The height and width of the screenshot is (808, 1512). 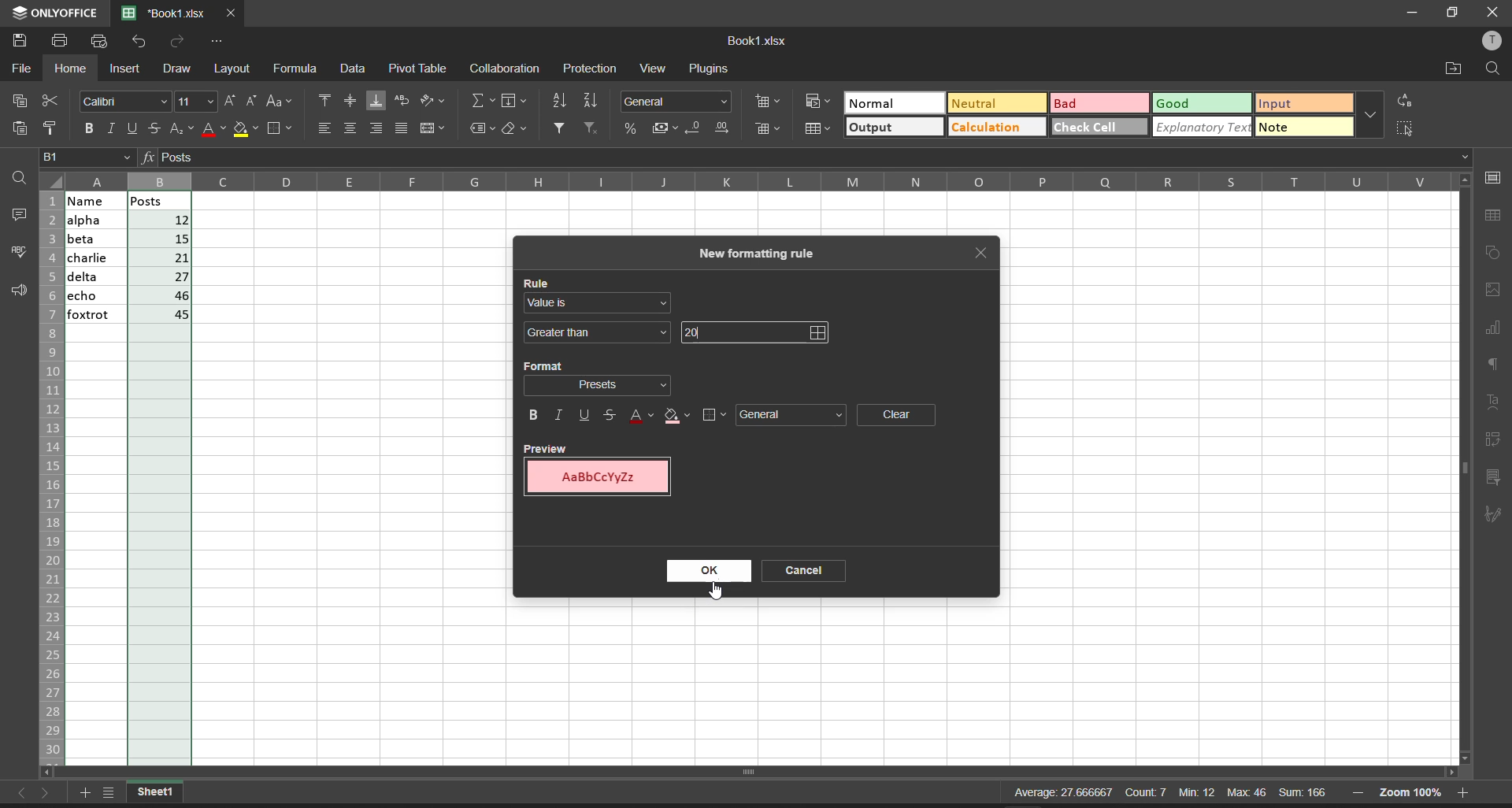 What do you see at coordinates (1414, 12) in the screenshot?
I see `minimize` at bounding box center [1414, 12].